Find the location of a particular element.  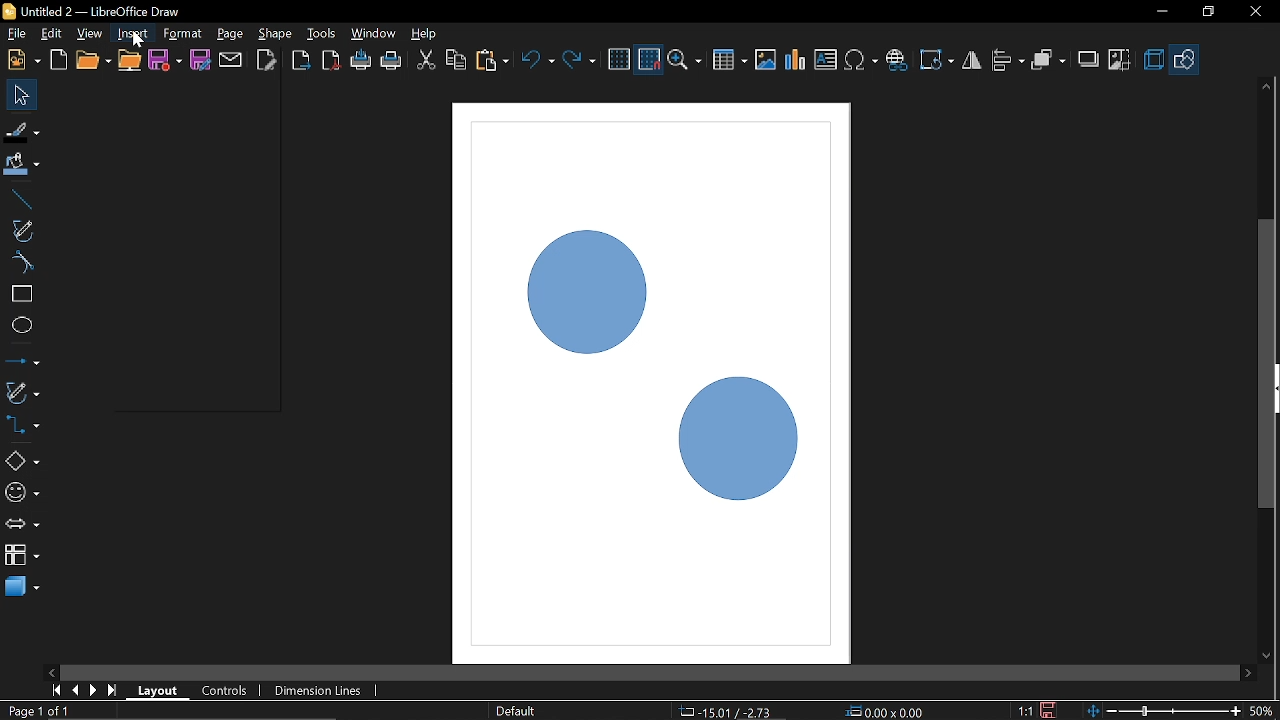

Export is located at coordinates (299, 62).